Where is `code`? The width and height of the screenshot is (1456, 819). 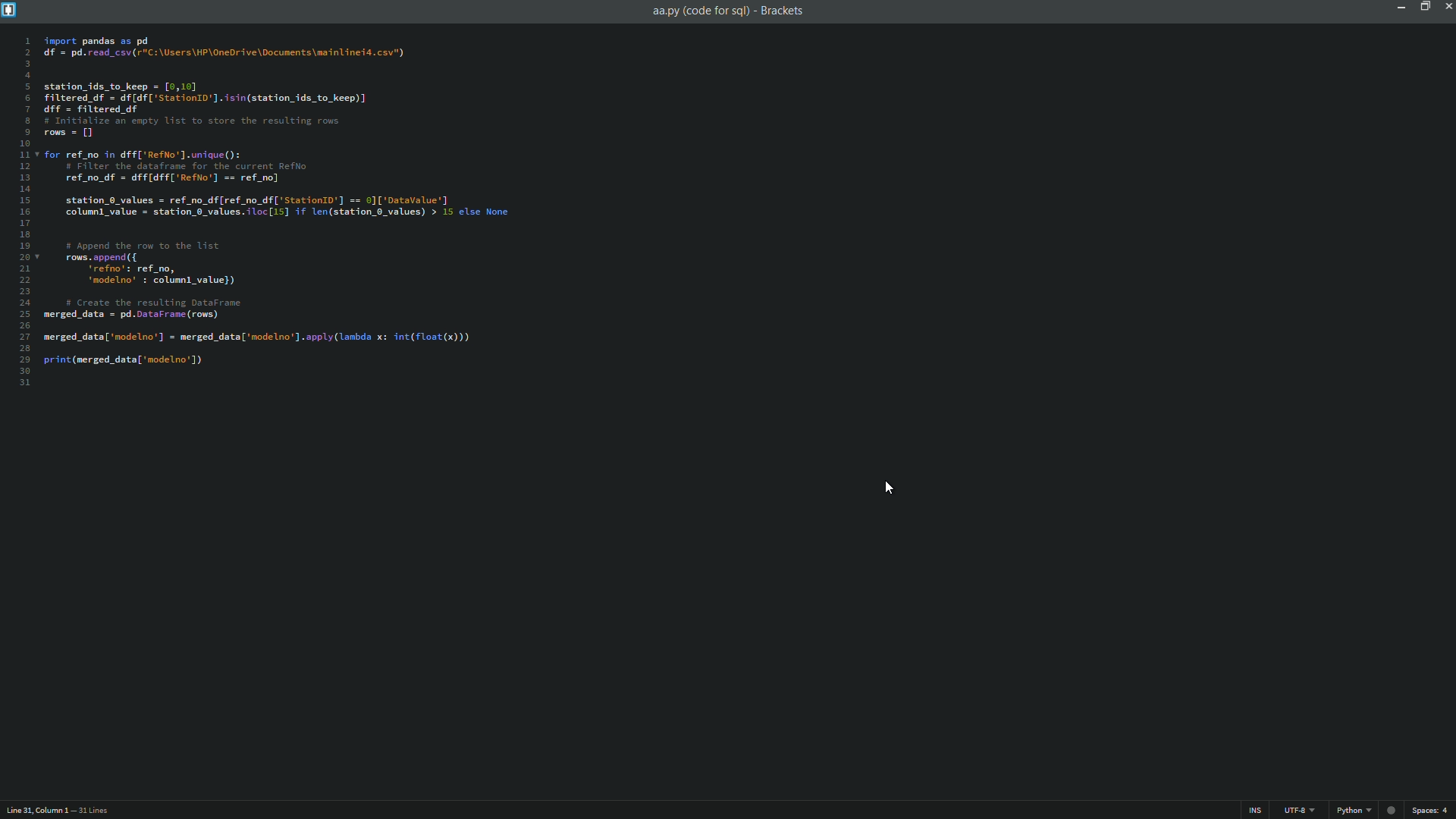 code is located at coordinates (283, 216).